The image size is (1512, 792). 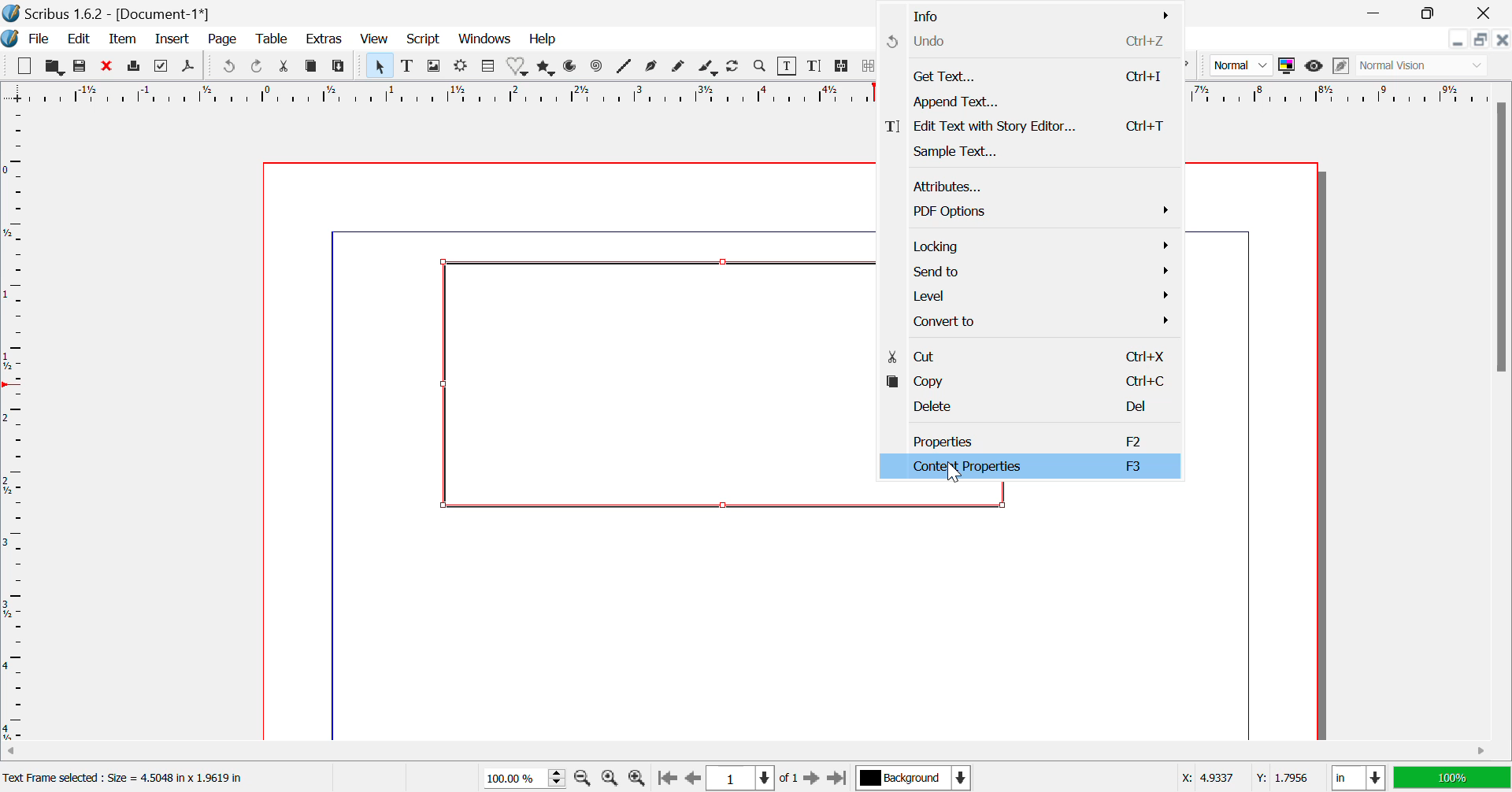 I want to click on Send to, so click(x=1031, y=271).